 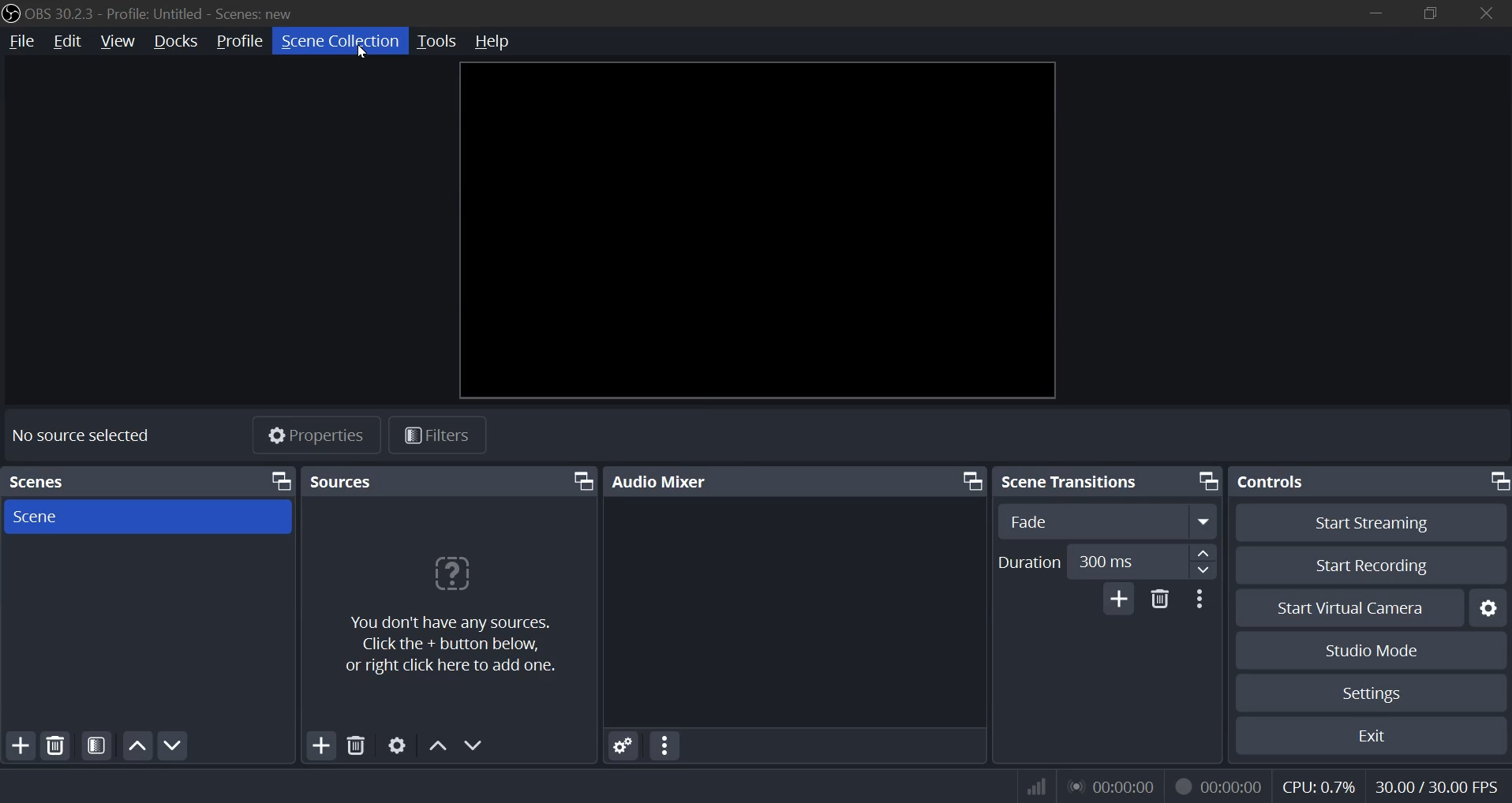 I want to click on audio mixer, so click(x=664, y=480).